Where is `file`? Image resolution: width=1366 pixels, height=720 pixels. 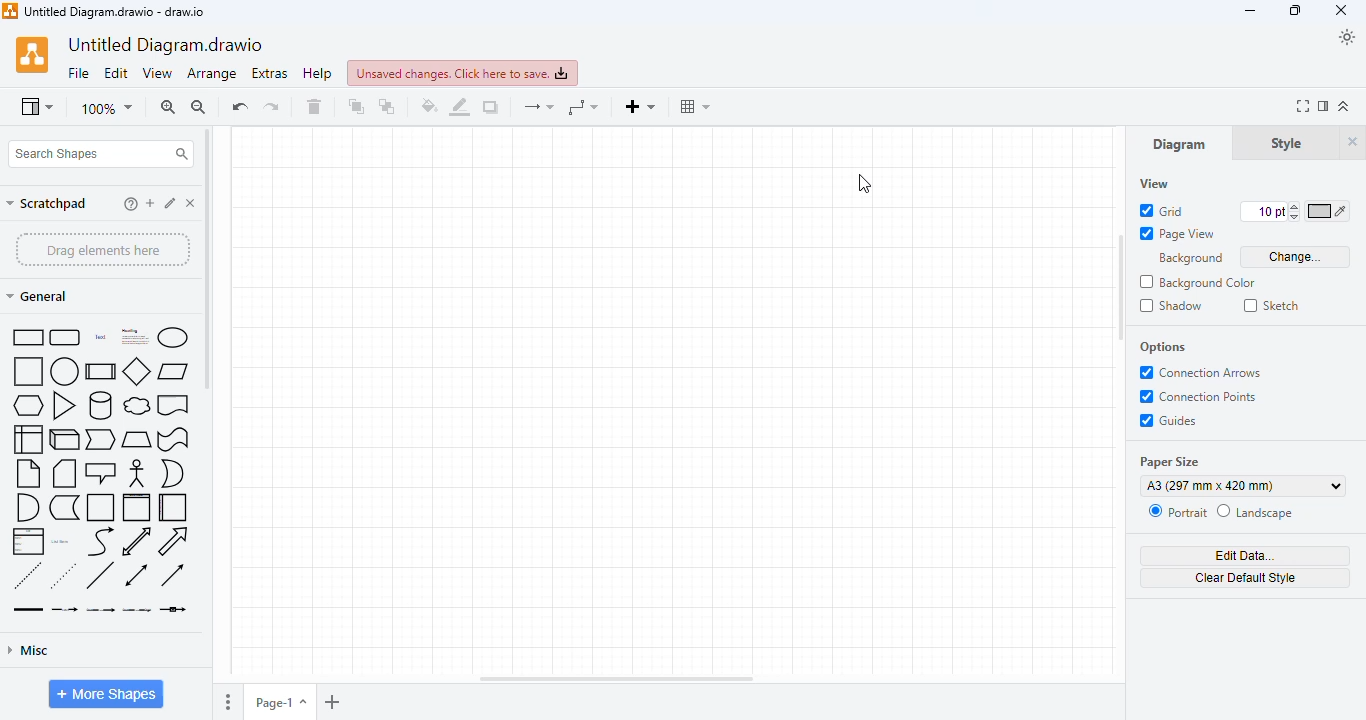
file is located at coordinates (79, 74).